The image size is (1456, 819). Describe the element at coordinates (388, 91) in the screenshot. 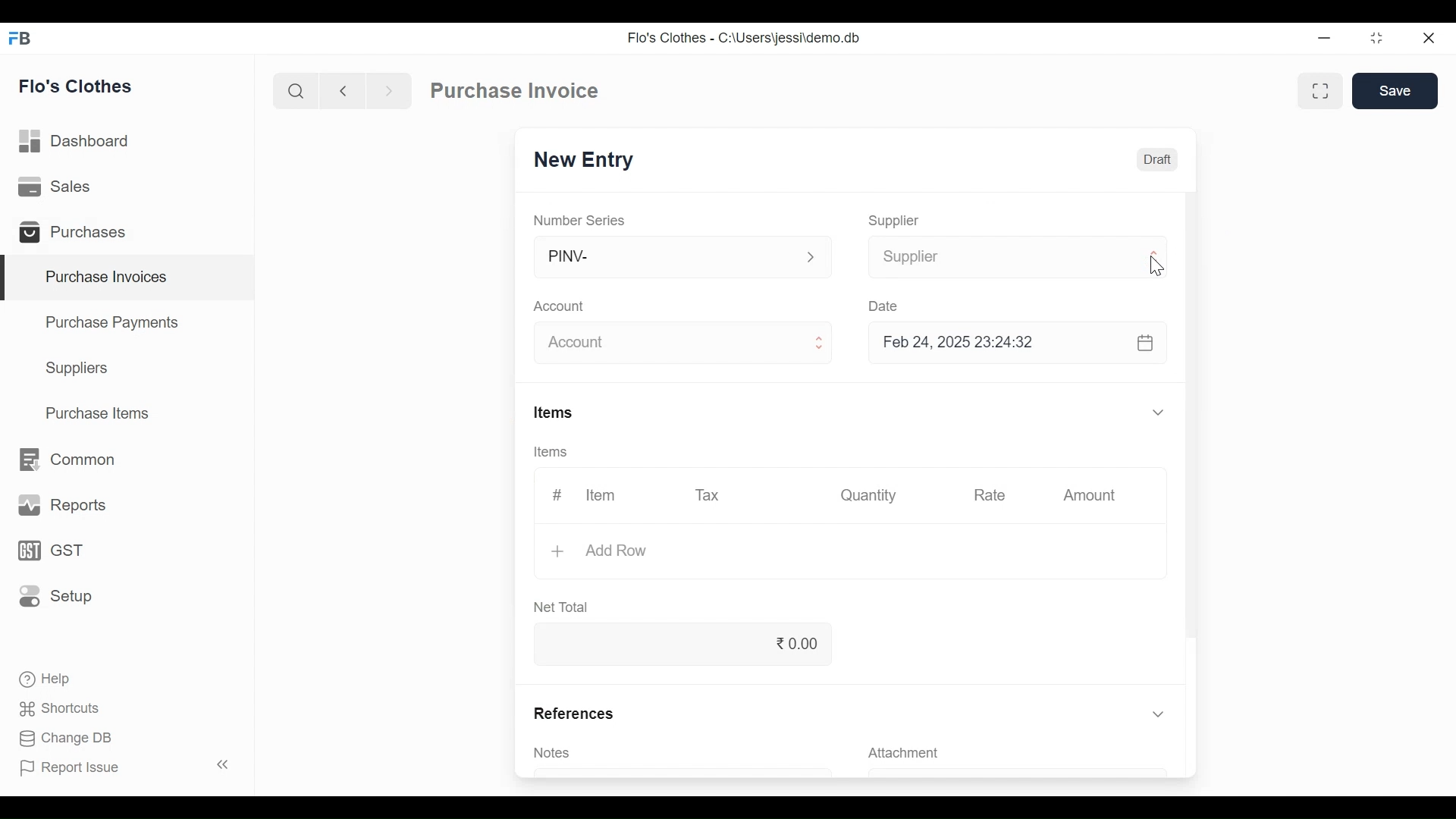

I see `Navigate forward` at that location.